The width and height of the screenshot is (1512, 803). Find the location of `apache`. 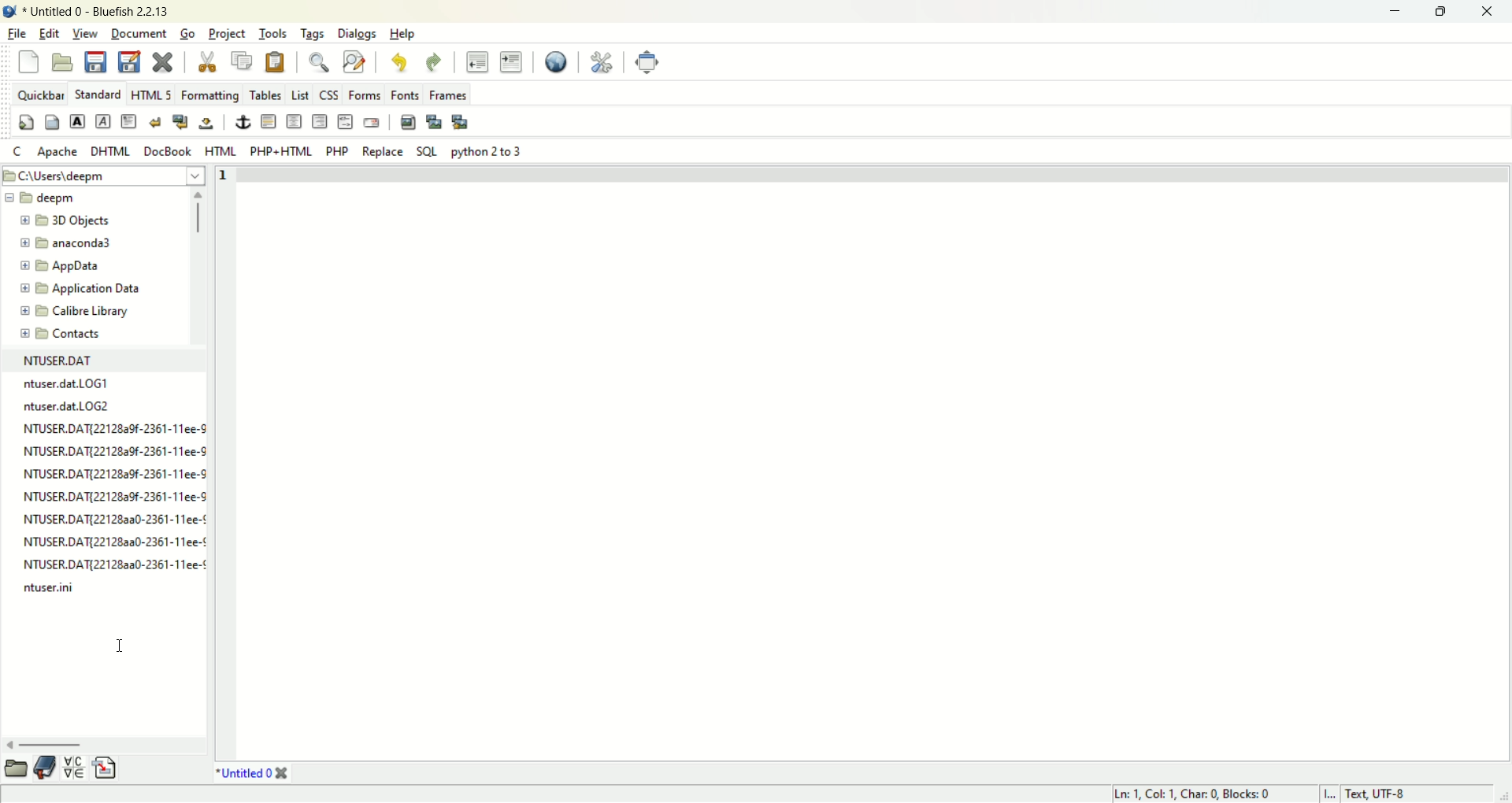

apache is located at coordinates (59, 152).